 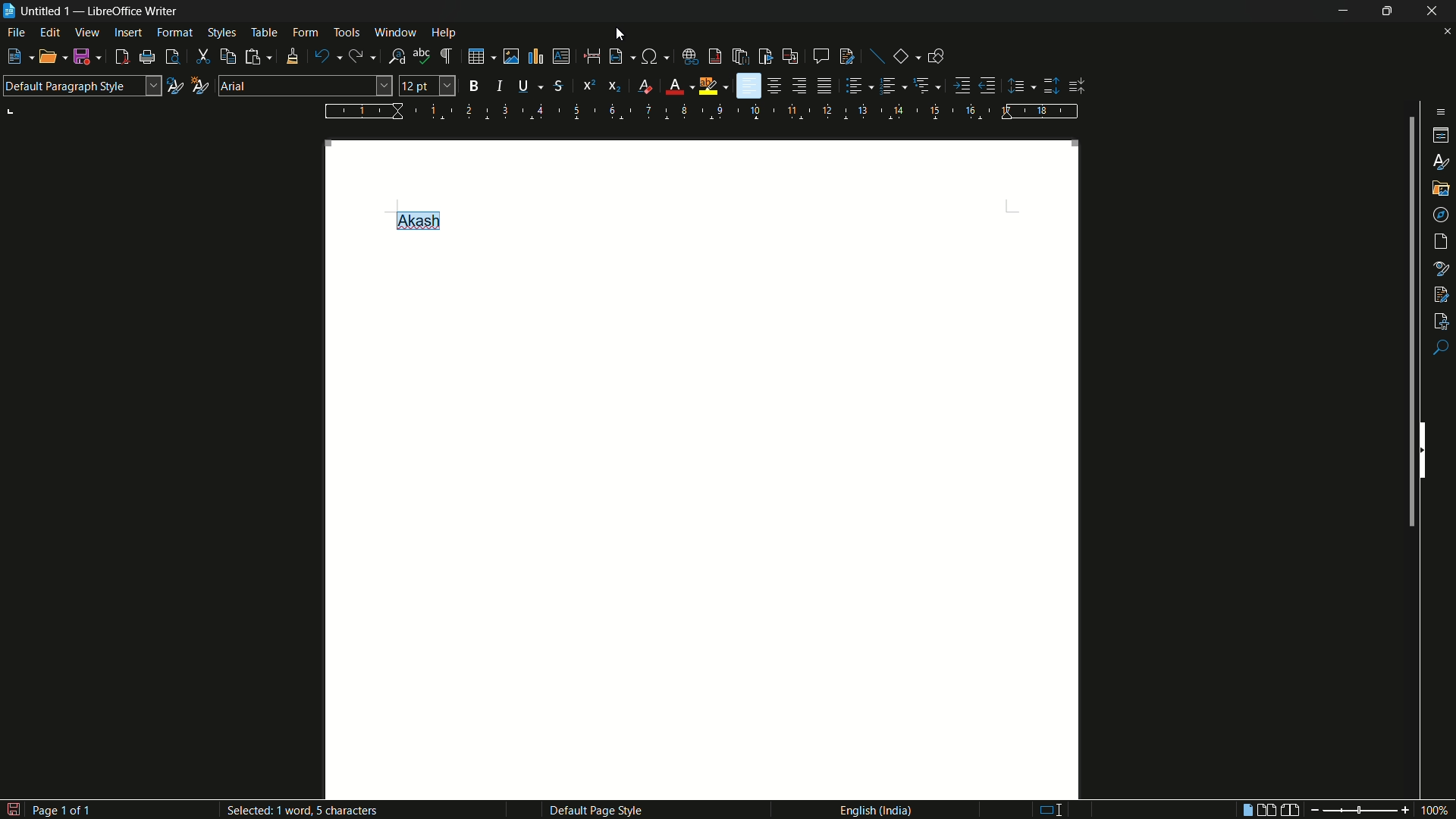 What do you see at coordinates (821, 56) in the screenshot?
I see `insert comment` at bounding box center [821, 56].